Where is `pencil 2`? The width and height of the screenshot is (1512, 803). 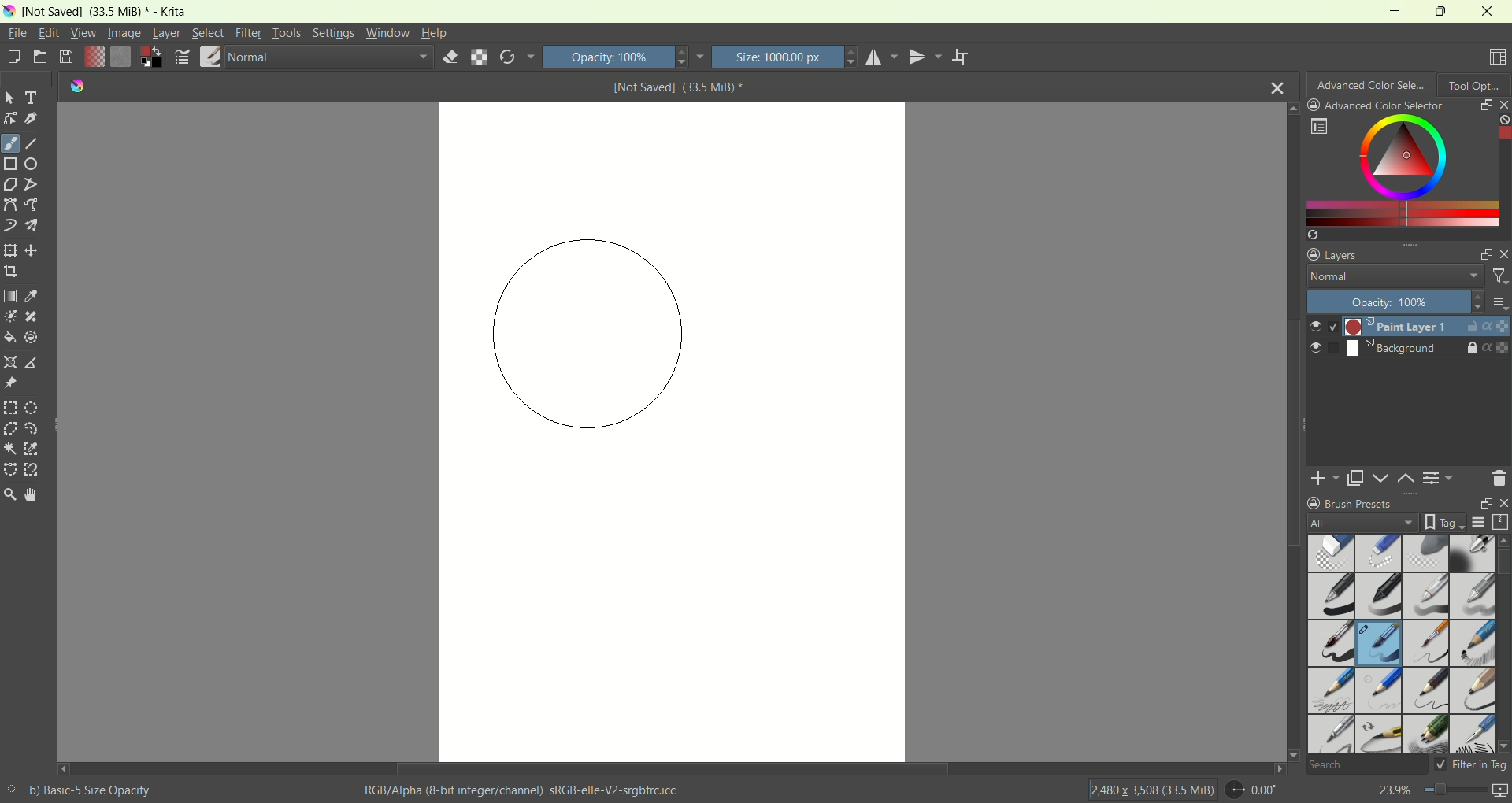
pencil 2 is located at coordinates (1426, 691).